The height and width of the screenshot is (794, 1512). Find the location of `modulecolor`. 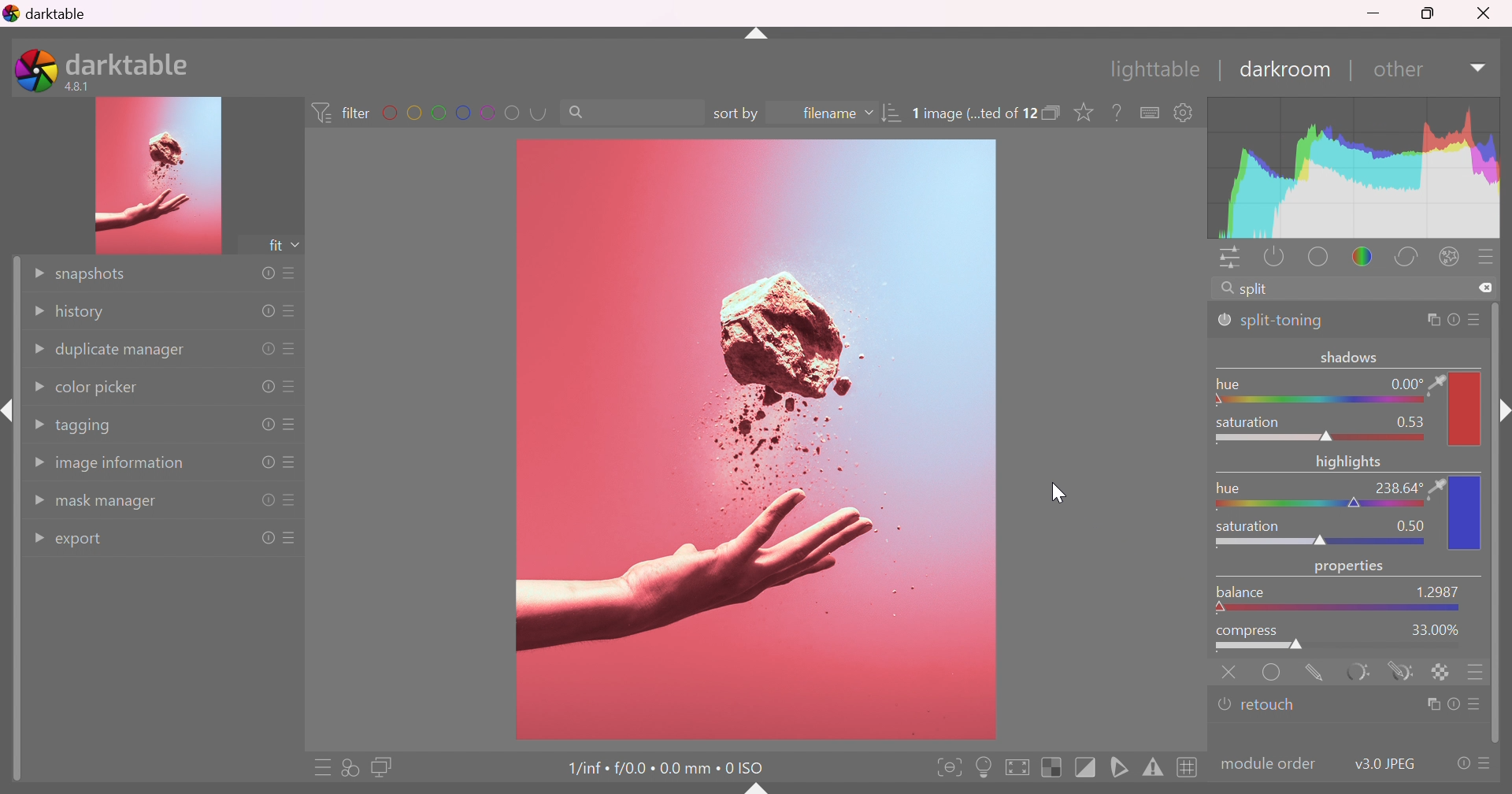

modulecolor is located at coordinates (1269, 763).